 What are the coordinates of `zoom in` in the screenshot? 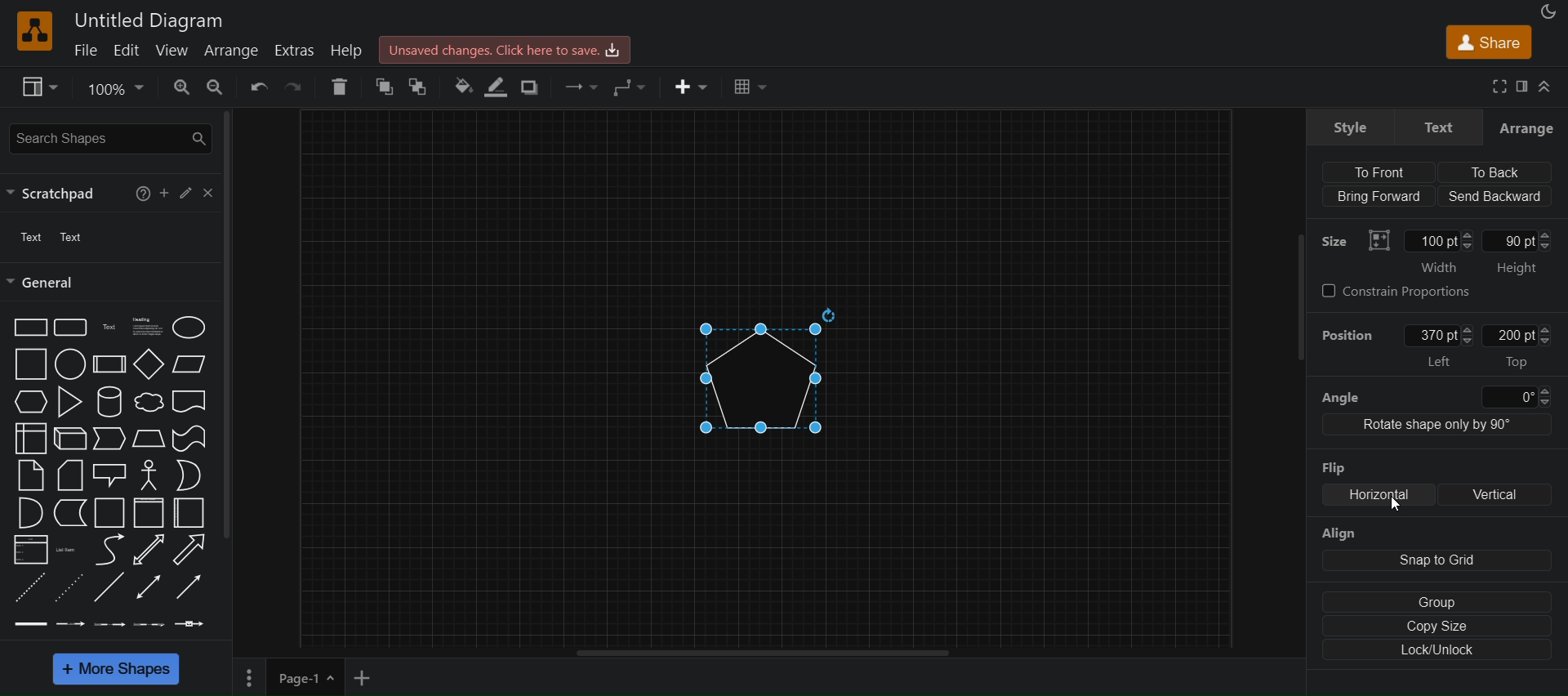 It's located at (214, 88).